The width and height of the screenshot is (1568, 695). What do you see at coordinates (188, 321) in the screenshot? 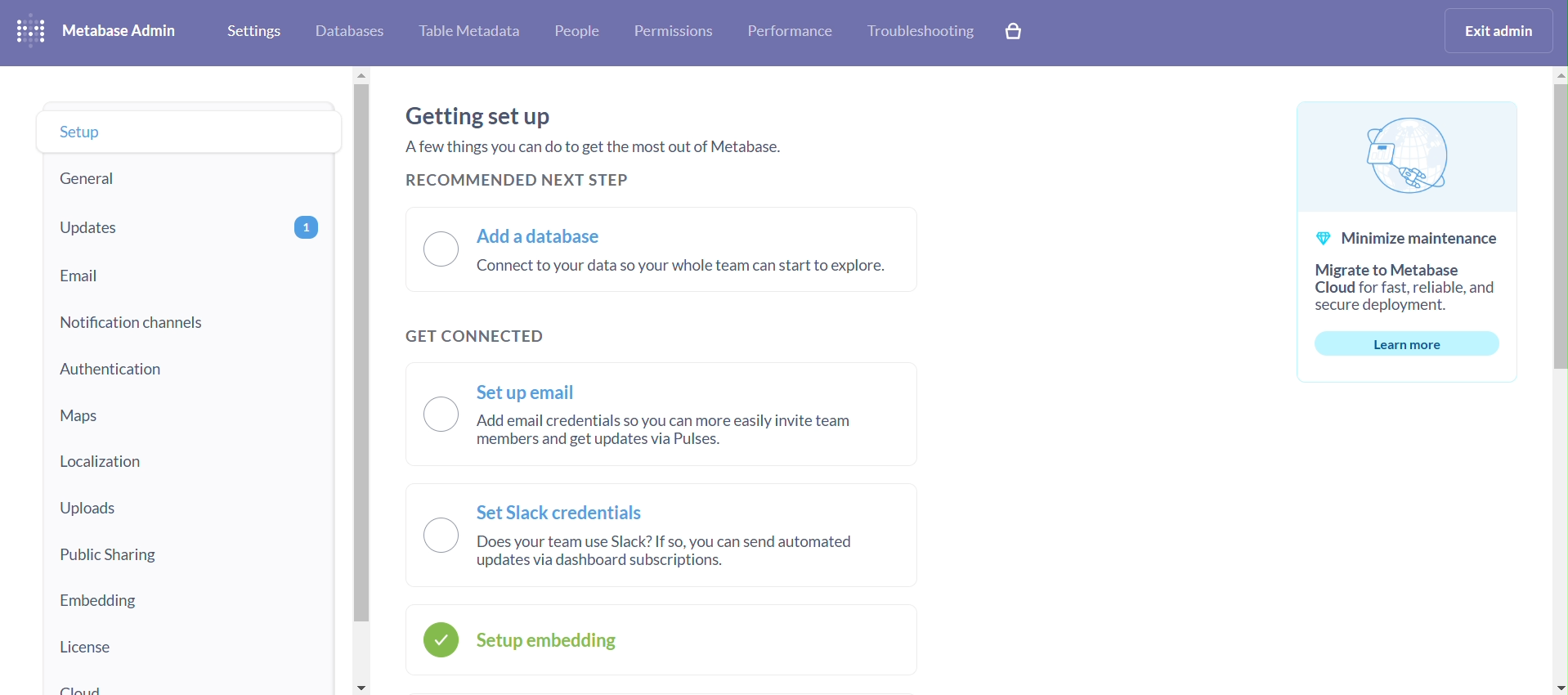
I see `notification channels` at bounding box center [188, 321].